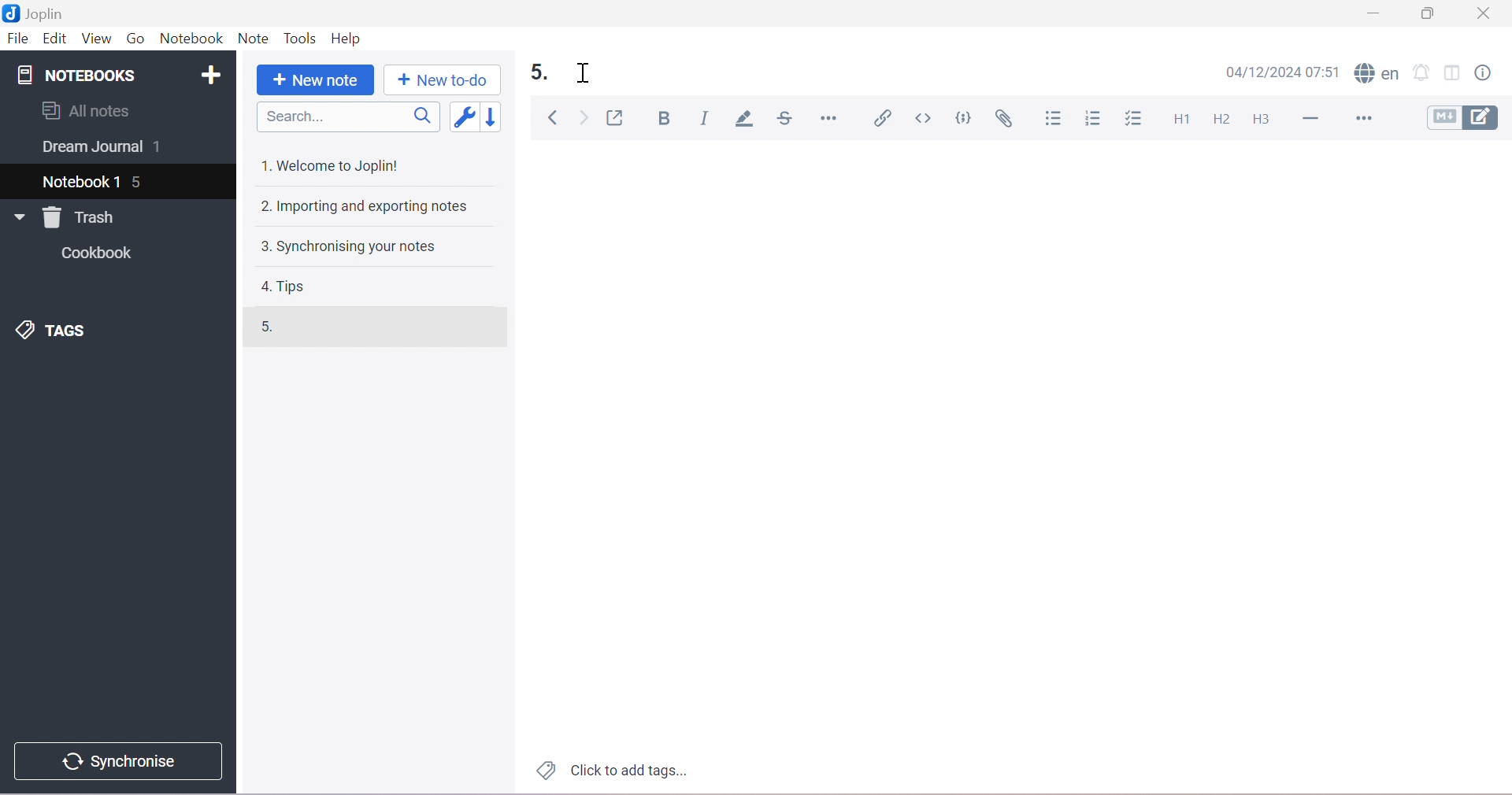 The width and height of the screenshot is (1512, 795). Describe the element at coordinates (335, 165) in the screenshot. I see `1. Welcome to Joplin!` at that location.